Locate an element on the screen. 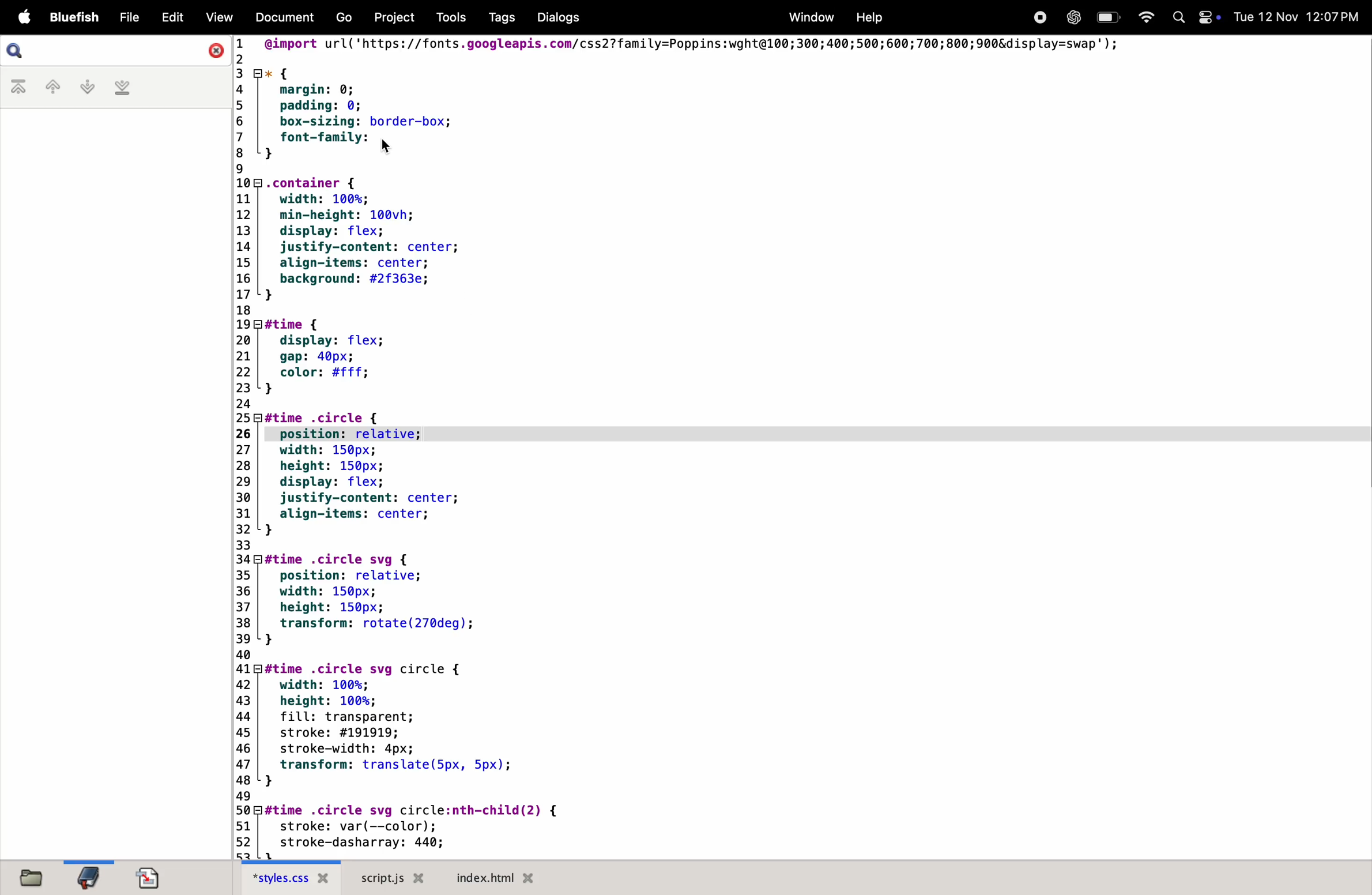 The image size is (1372, 895). 1 @import url('https://fonts.googleapis.com/css2?family=Poppins:wght@100;300;400;500;600;700;800;900&display=swap');23 * {4 margin: 0;5 padding: 0;6 box-sizing: border-box;7 font-family:8 '} R910H . container {11 width: 100%;12 min-height: 100vh;13 display: flex;14 justify-content: center;15 align-items: center;16 background: #2f363e;17 “}18198 #time {20 display: flex;21 gap: 40px;22 color: #fff;23}24250 #time .circle {26 position: relative;27 width: 150px;28 height: 150px;29 display: flex;30 justify-content: center;31 align-items: center;32}3334 #time .circle svg {35 position: relative;36 width: 150px;37 height: 150px;38 transform: rotate(270deg);39}40415 #time .circle svg circle {42 width: 100%;43 height: 100%;44 fill: transparent;45 stroke: #191919;46 stroke-width: 4px;47 transform: translate(5px, 5px);48 “ }4950 #time .circle svg circle:nth-child(2) {51 stroke: var(--color);52 stroke-dasharray: 440; is located at coordinates (714, 445).